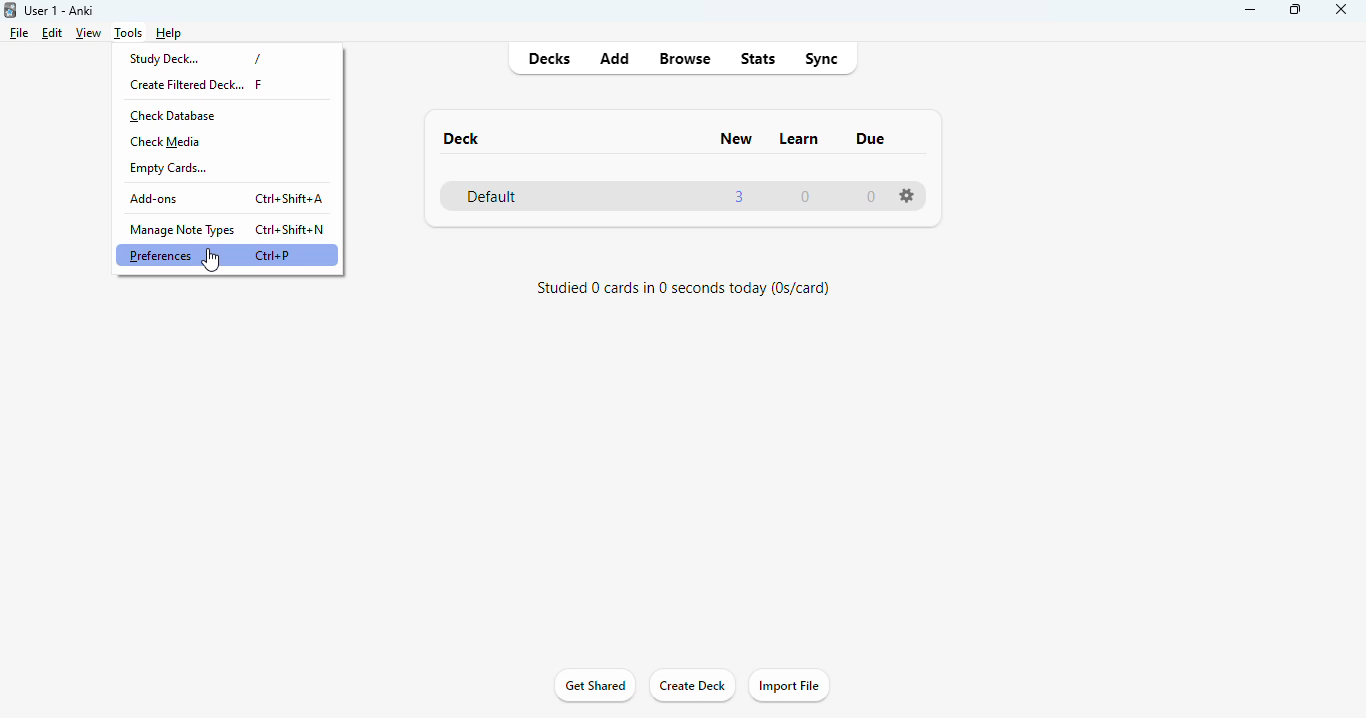 The width and height of the screenshot is (1366, 718). Describe the element at coordinates (54, 33) in the screenshot. I see `edit` at that location.